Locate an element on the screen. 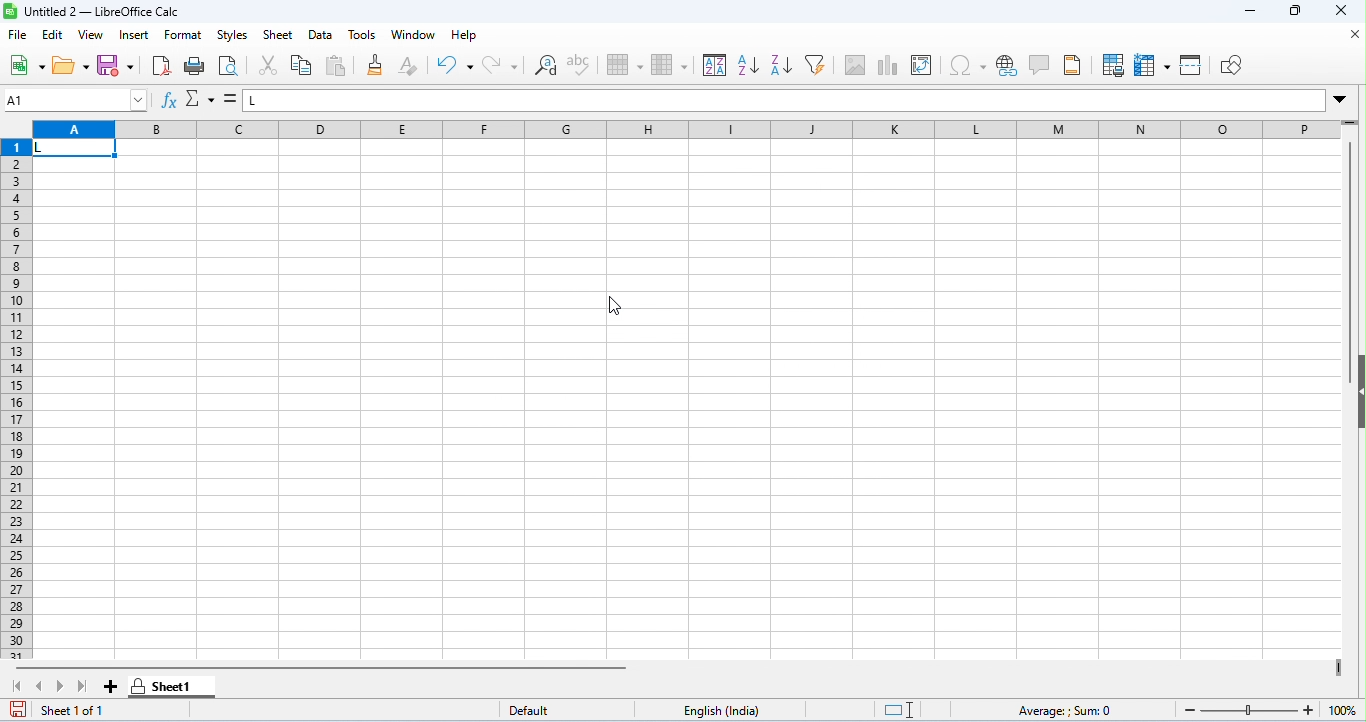  sheet 1 is located at coordinates (172, 688).